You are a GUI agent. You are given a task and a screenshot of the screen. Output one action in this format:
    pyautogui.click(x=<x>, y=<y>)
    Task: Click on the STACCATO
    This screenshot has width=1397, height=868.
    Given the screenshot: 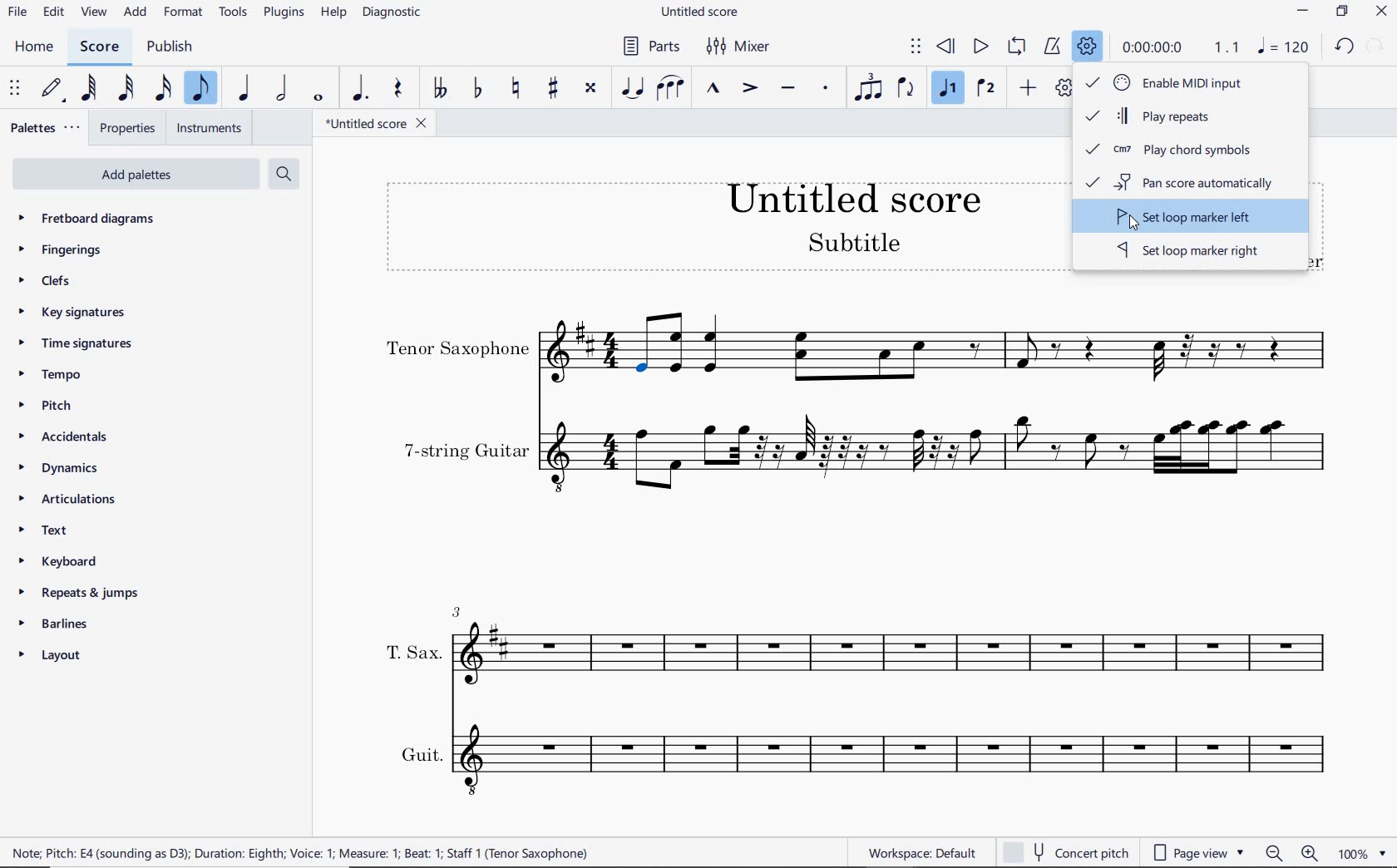 What is the action you would take?
    pyautogui.click(x=825, y=88)
    